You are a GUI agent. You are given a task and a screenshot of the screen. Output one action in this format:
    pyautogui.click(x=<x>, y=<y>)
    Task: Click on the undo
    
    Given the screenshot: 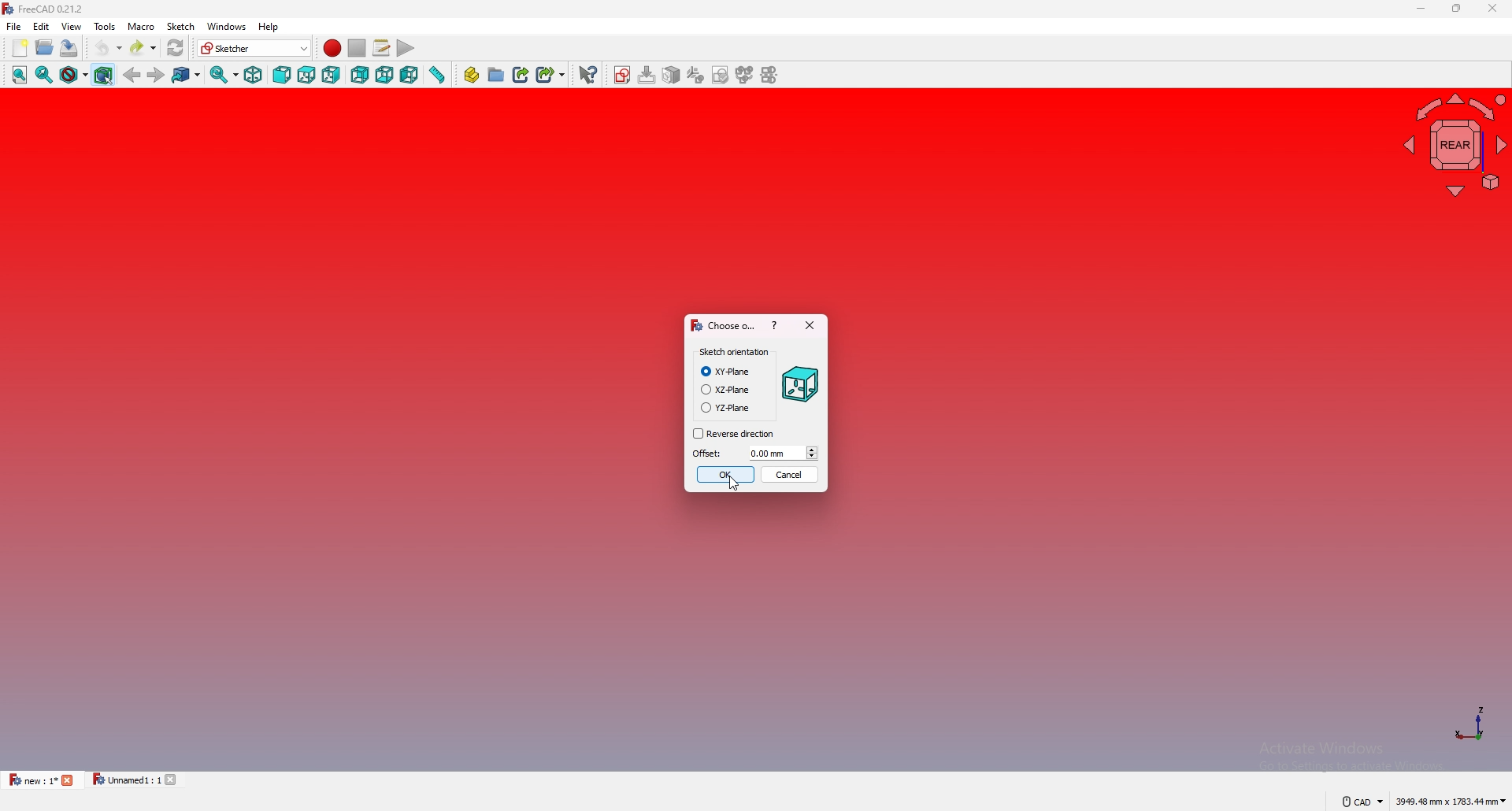 What is the action you would take?
    pyautogui.click(x=108, y=48)
    